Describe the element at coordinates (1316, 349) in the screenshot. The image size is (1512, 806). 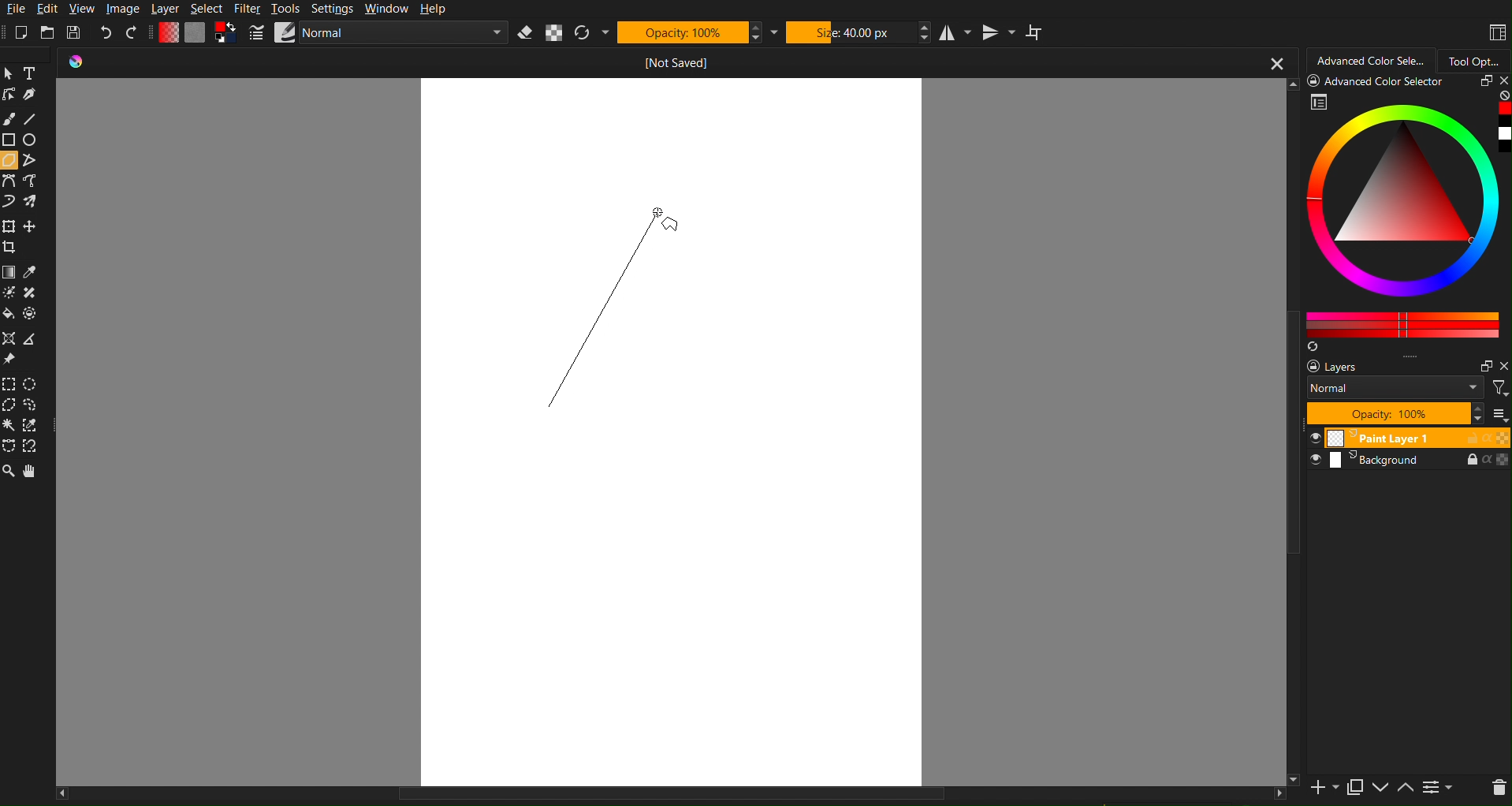
I see `create a list of colors from the image` at that location.